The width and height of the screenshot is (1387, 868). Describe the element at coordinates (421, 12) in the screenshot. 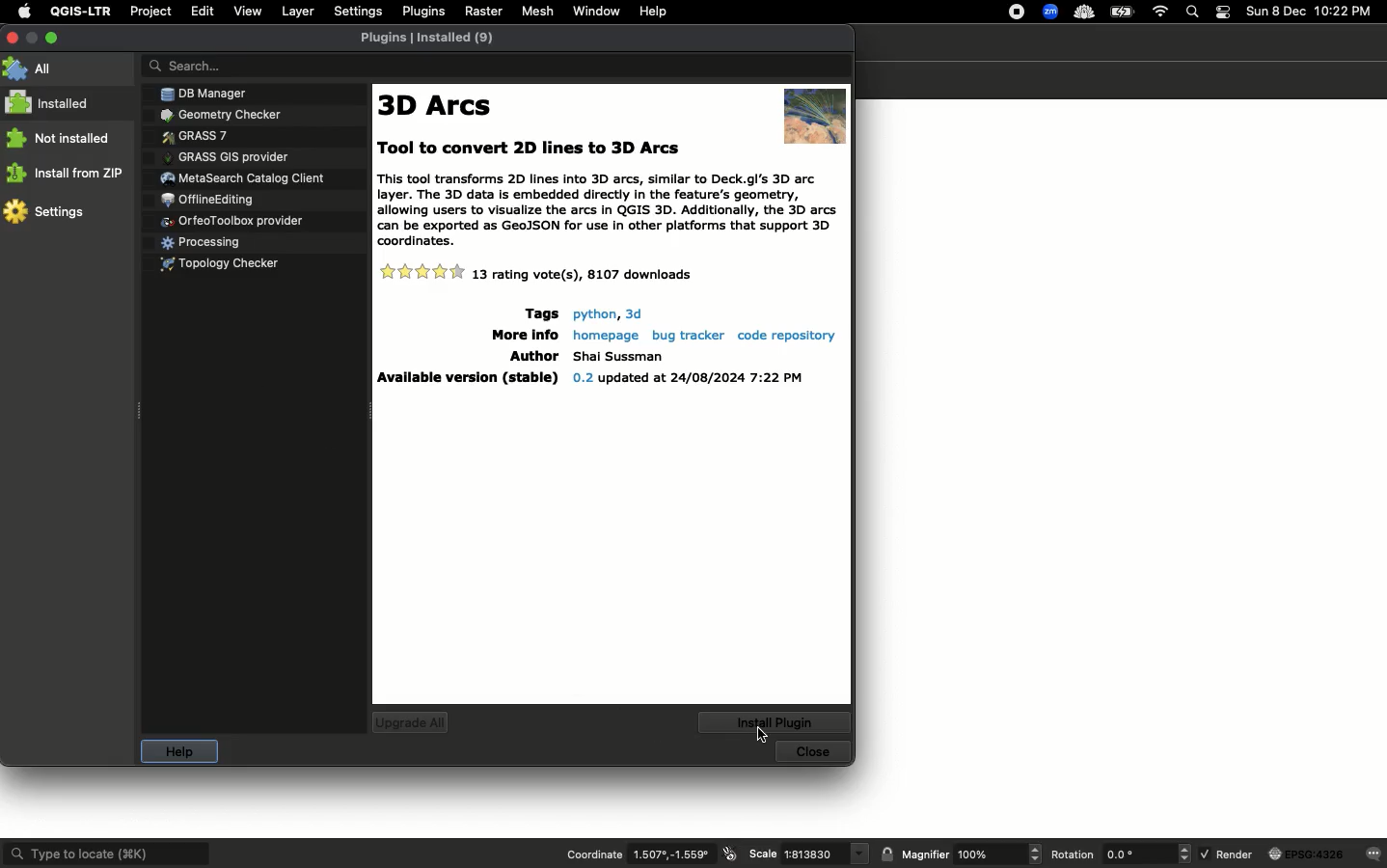

I see `Plugins` at that location.